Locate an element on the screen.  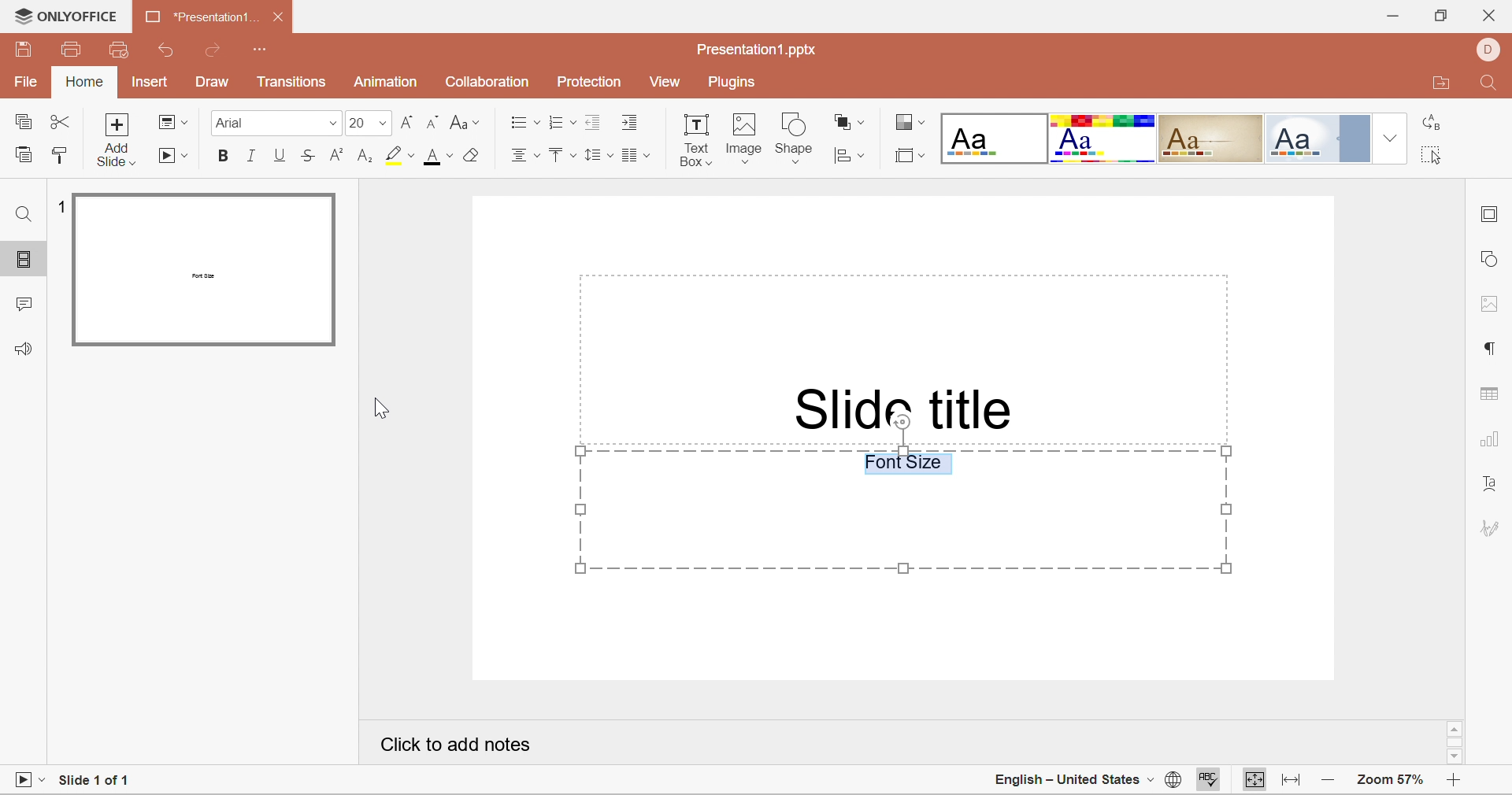
Slide is located at coordinates (203, 269).